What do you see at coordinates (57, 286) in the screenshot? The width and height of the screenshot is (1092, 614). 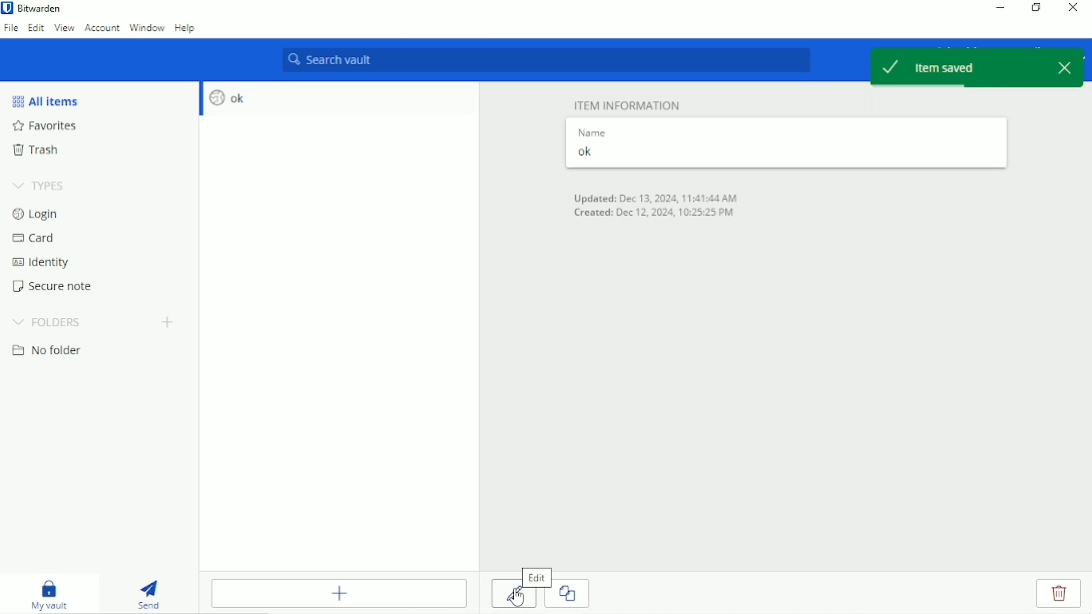 I see `Secure note` at bounding box center [57, 286].